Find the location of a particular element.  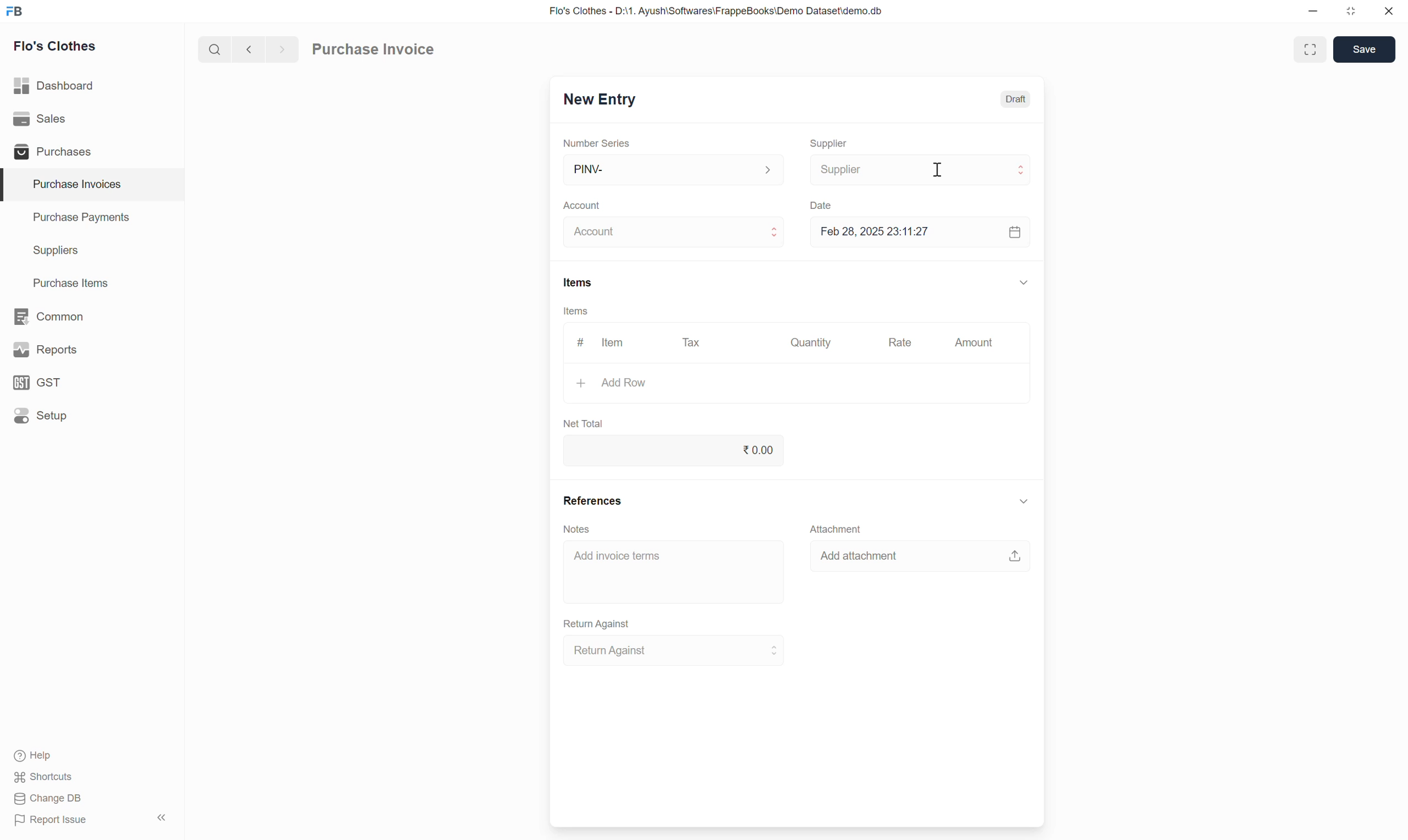

Return Against is located at coordinates (598, 624).